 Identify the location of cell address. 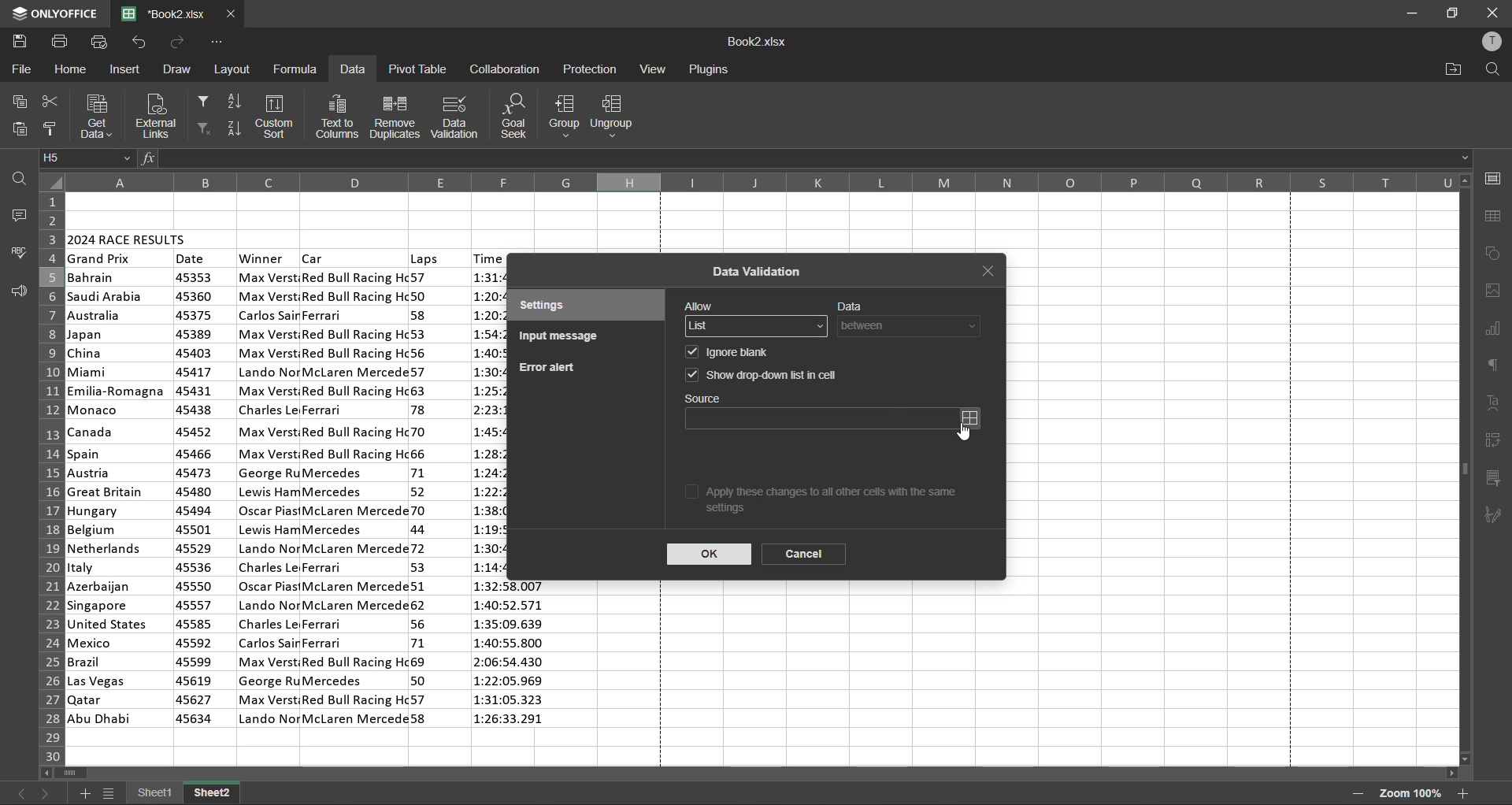
(87, 158).